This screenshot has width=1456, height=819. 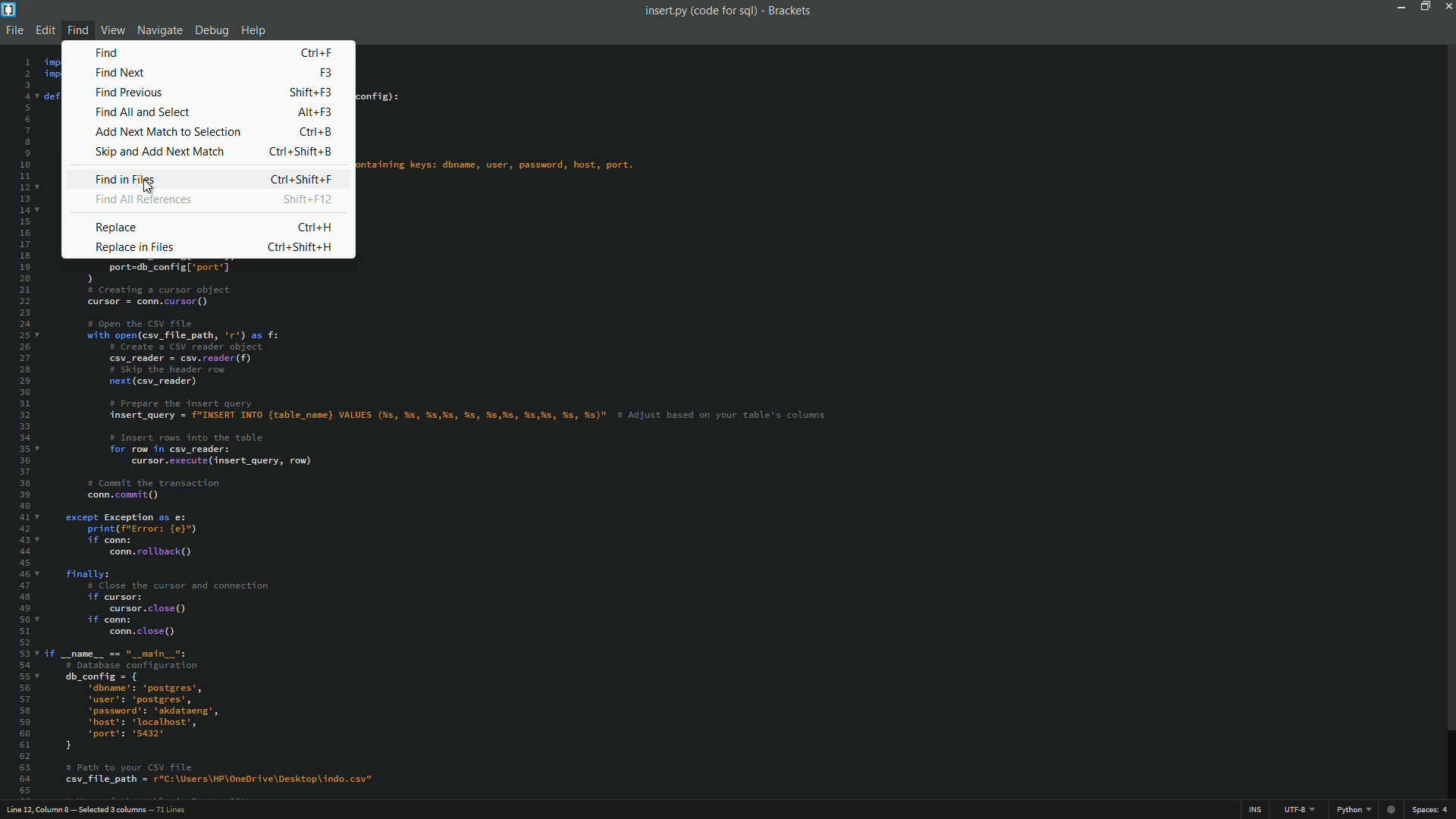 What do you see at coordinates (45, 30) in the screenshot?
I see `edit menu` at bounding box center [45, 30].